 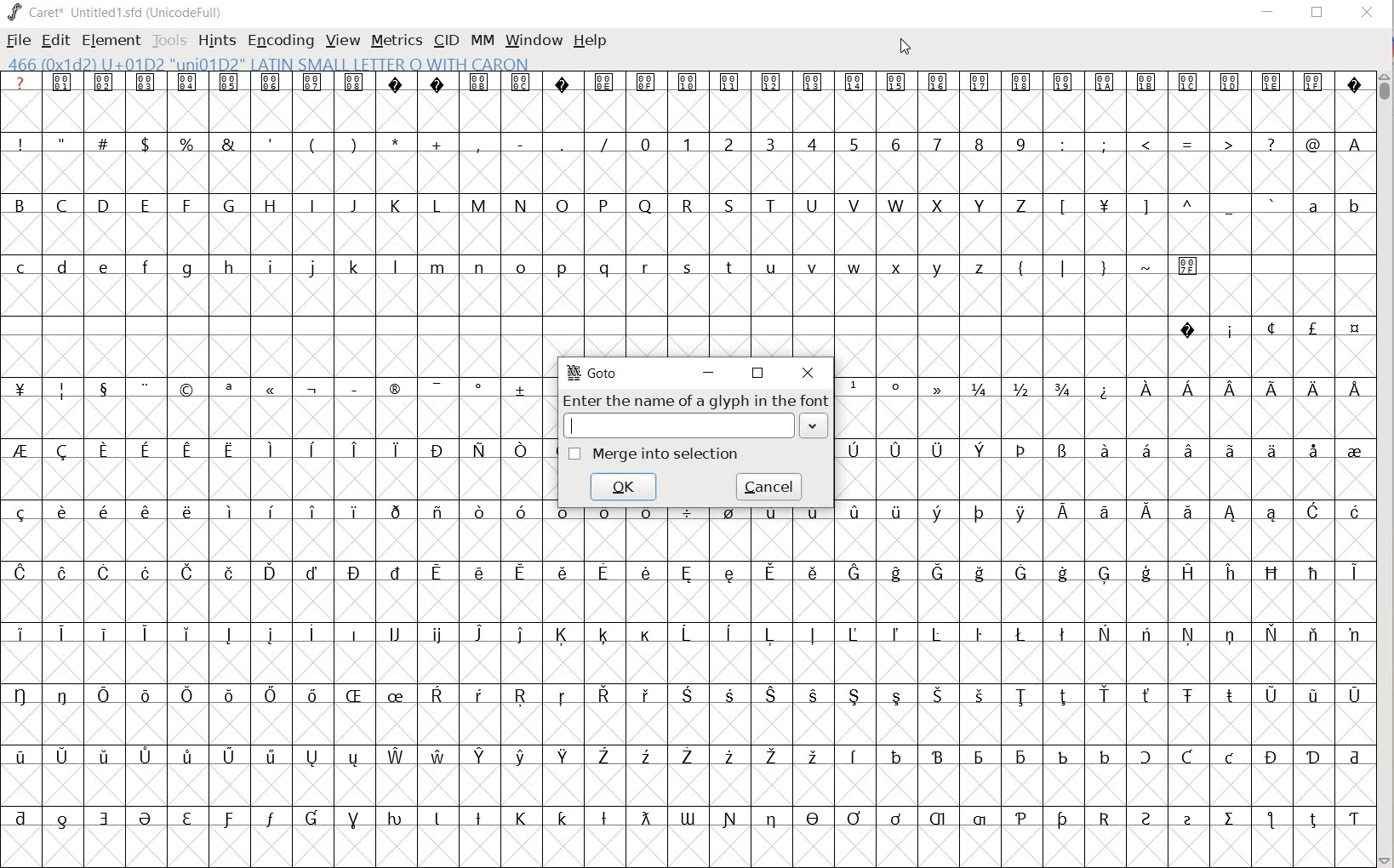 What do you see at coordinates (117, 11) in the screenshot?
I see `caret* untitled1.sfd (unicodefull)` at bounding box center [117, 11].